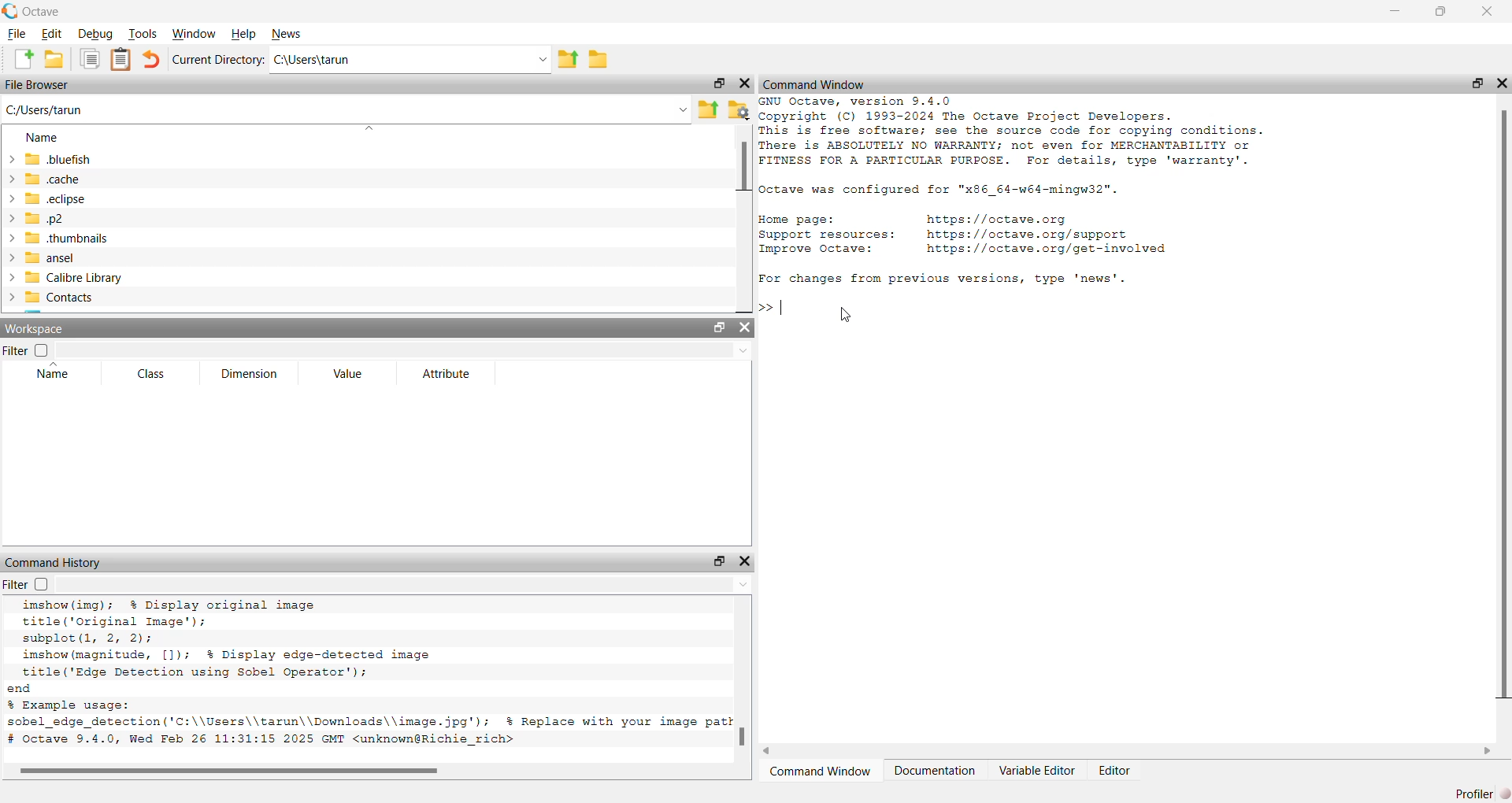 This screenshot has width=1512, height=803. What do you see at coordinates (1395, 13) in the screenshot?
I see `minimize` at bounding box center [1395, 13].